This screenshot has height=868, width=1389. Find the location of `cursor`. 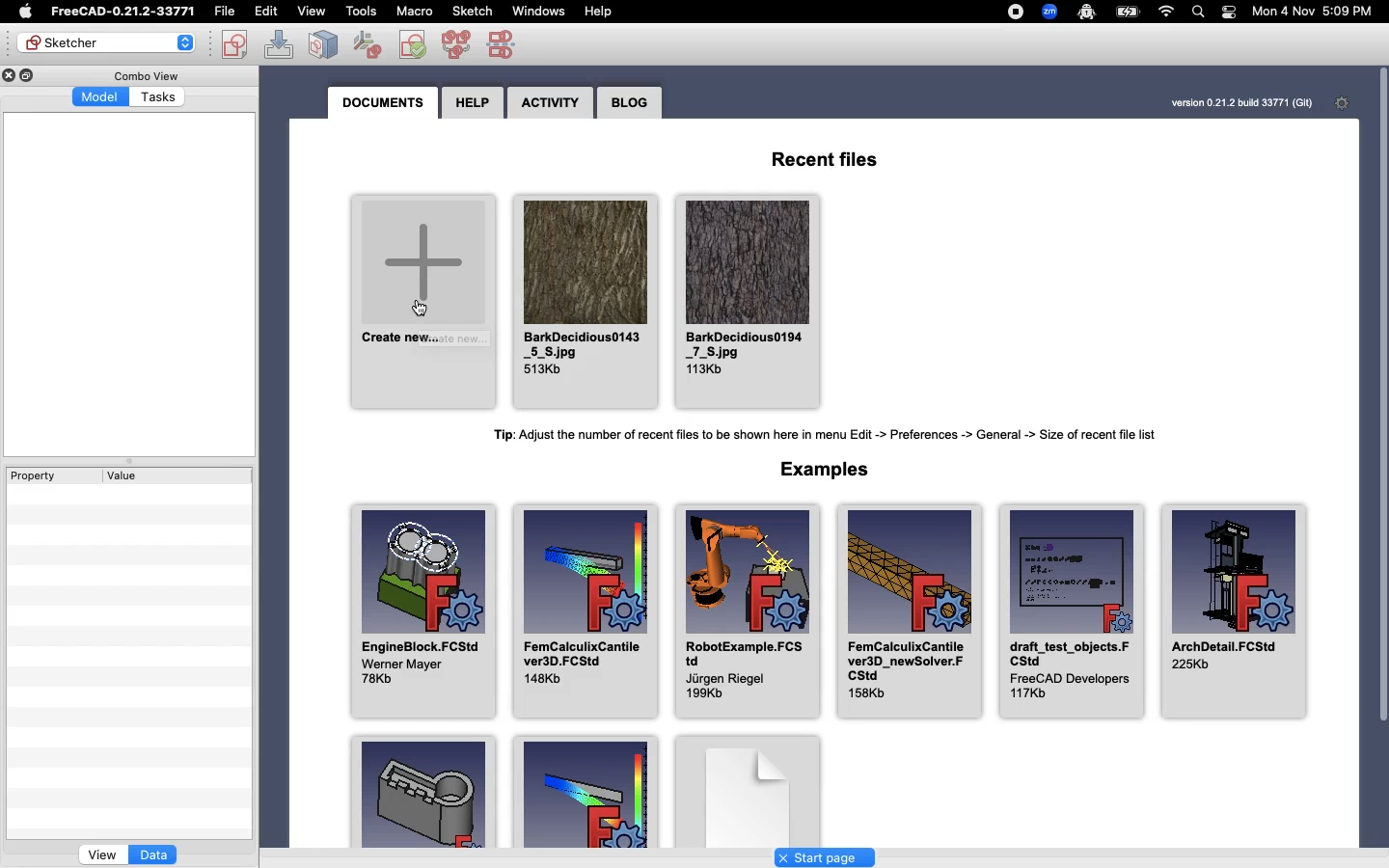

cursor is located at coordinates (420, 310).